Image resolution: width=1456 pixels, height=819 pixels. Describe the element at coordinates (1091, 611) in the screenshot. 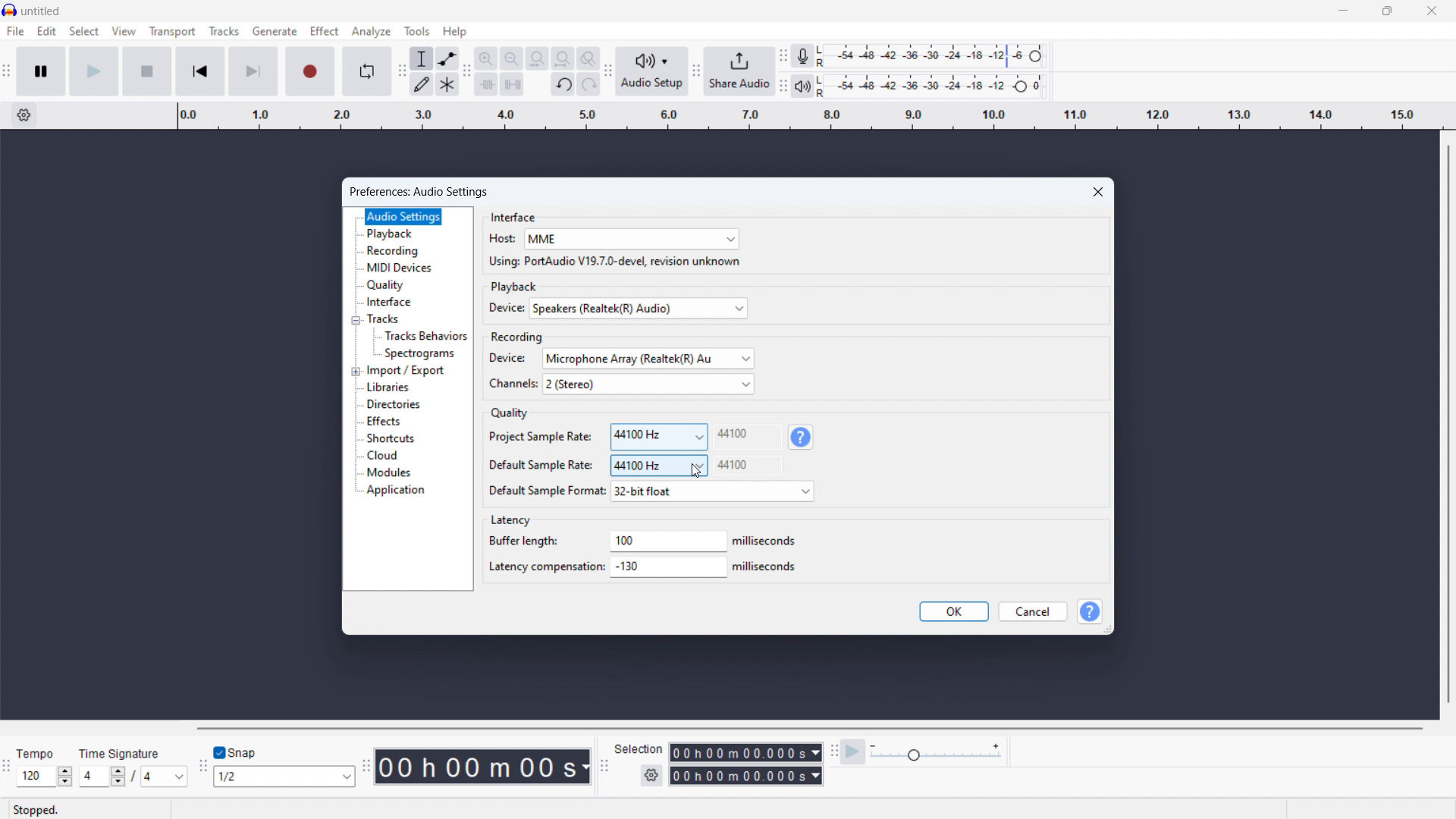

I see `help` at that location.